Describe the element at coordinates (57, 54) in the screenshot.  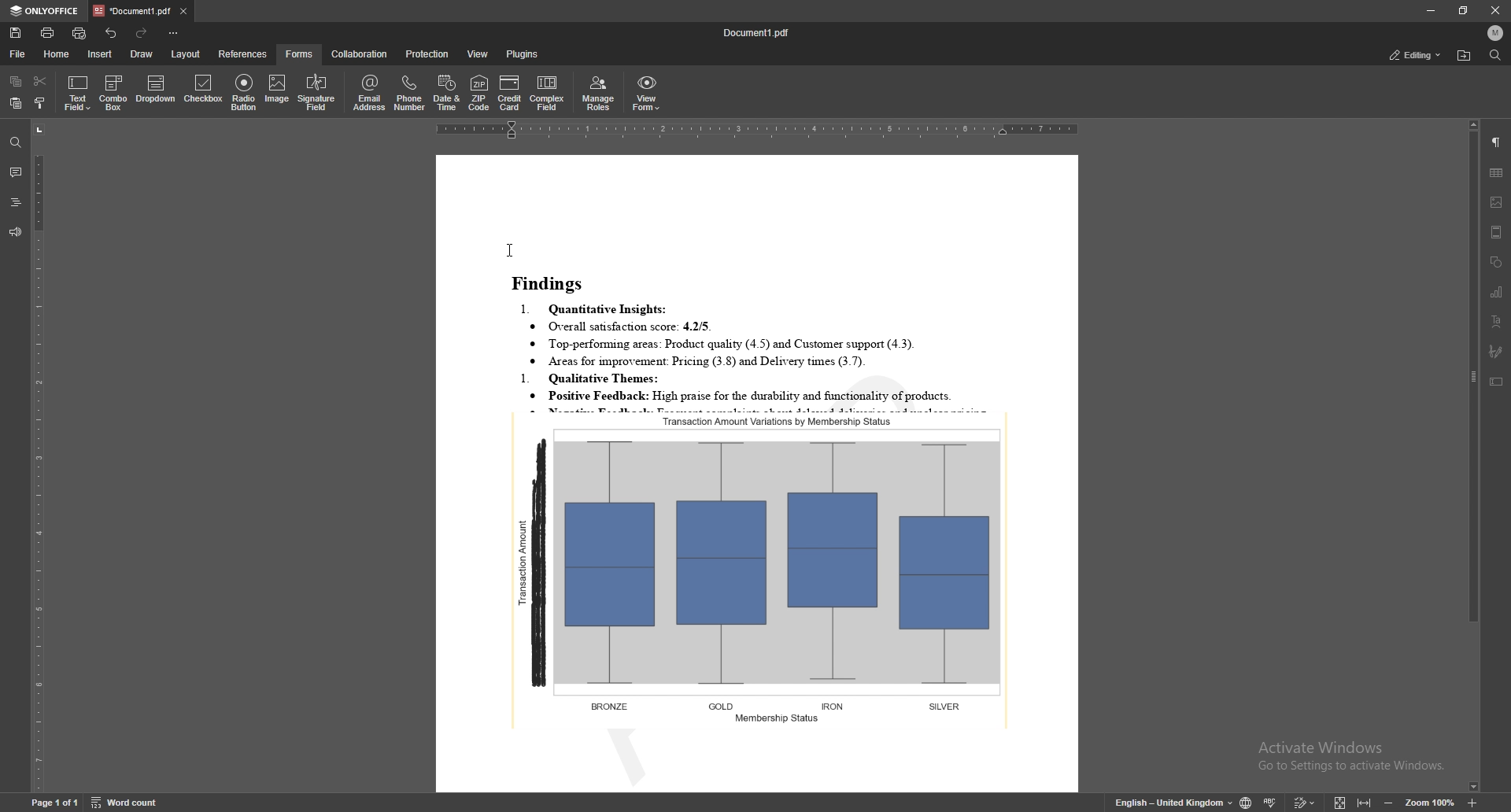
I see `home` at that location.